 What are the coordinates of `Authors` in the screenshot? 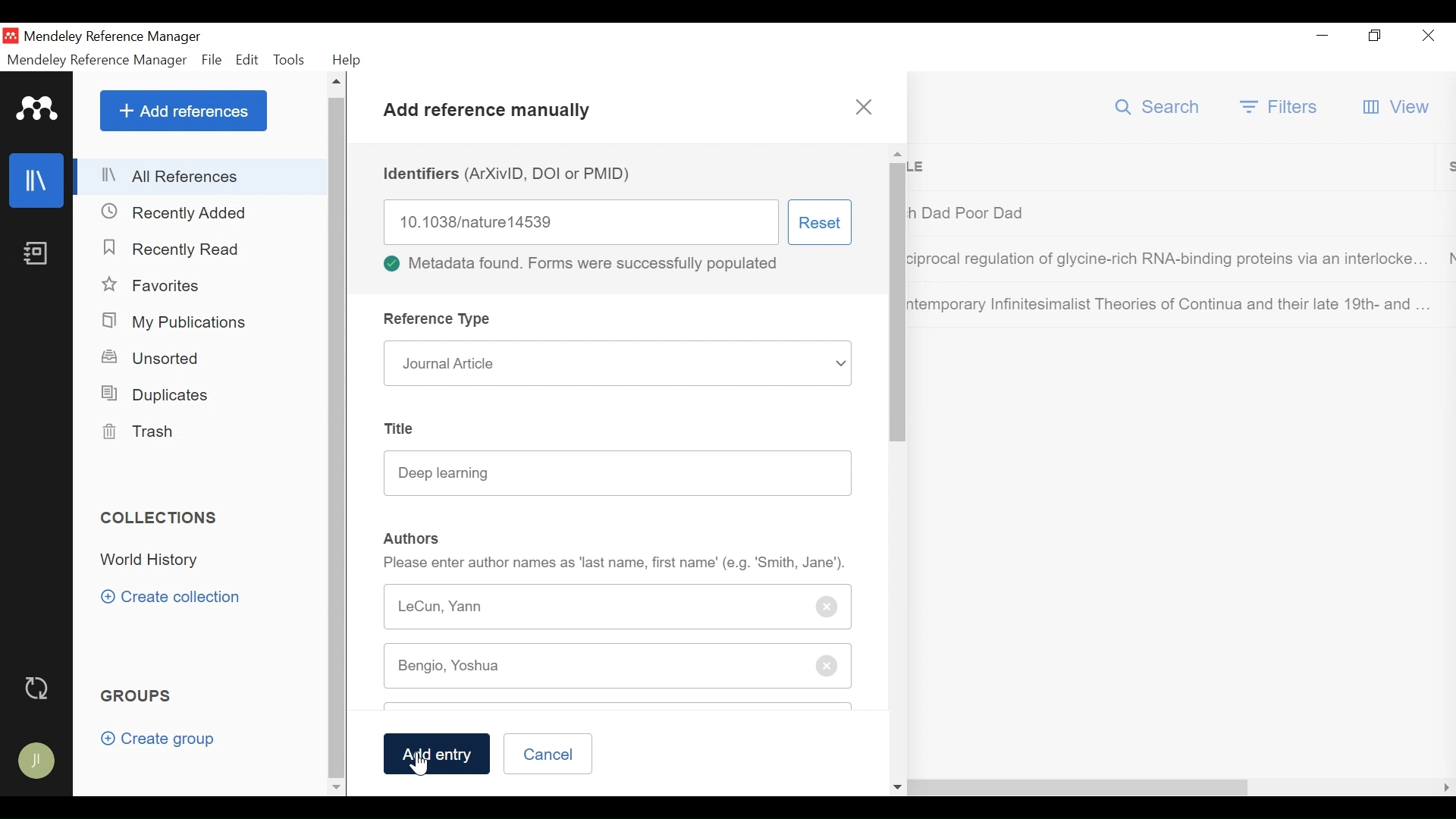 It's located at (413, 536).